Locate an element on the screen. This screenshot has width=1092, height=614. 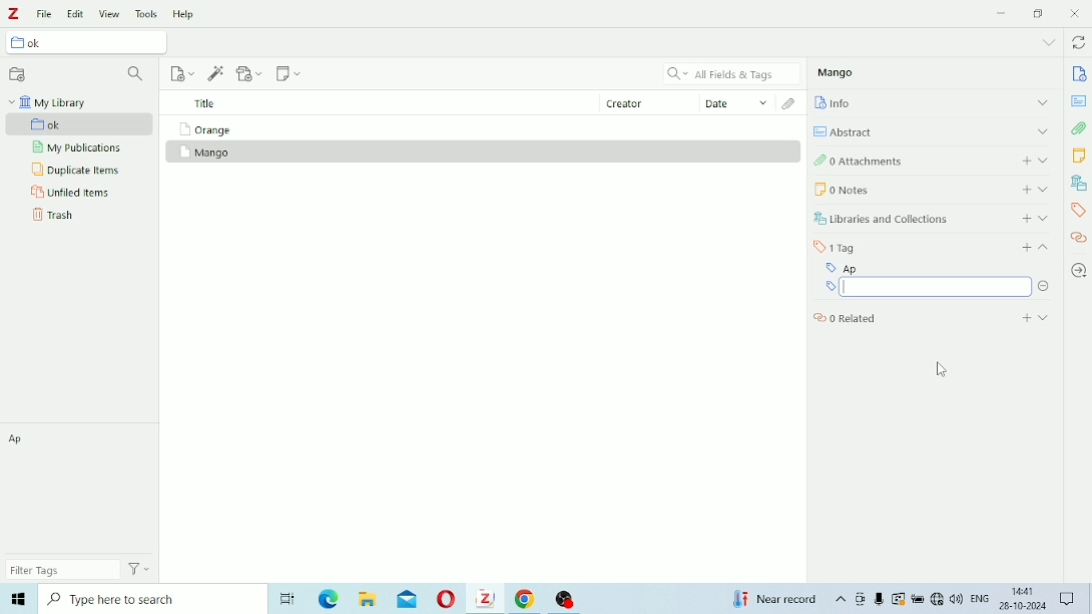
File is located at coordinates (45, 14).